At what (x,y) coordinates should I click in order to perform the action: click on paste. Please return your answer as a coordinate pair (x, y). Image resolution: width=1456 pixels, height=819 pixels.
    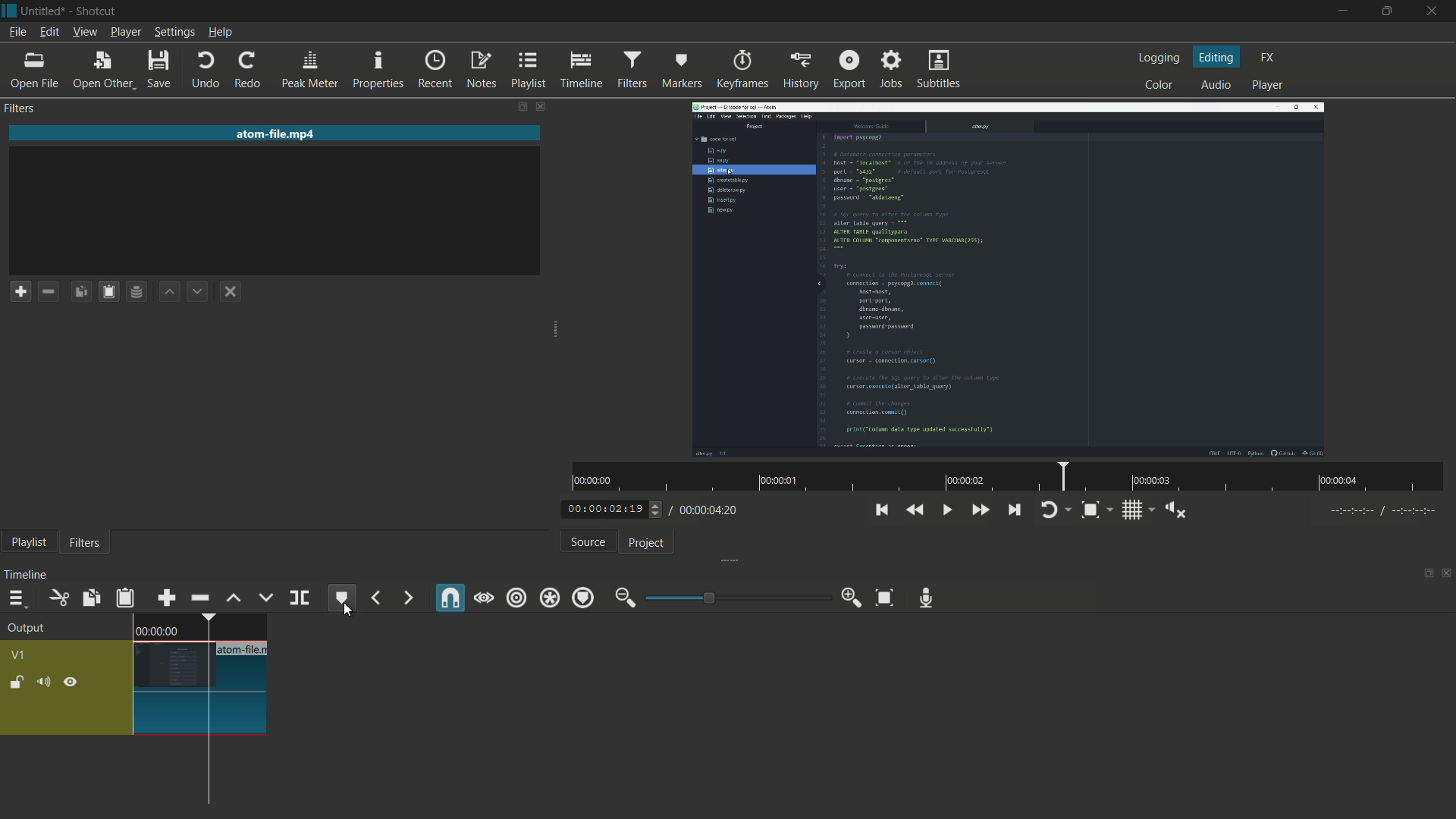
    Looking at the image, I should click on (124, 598).